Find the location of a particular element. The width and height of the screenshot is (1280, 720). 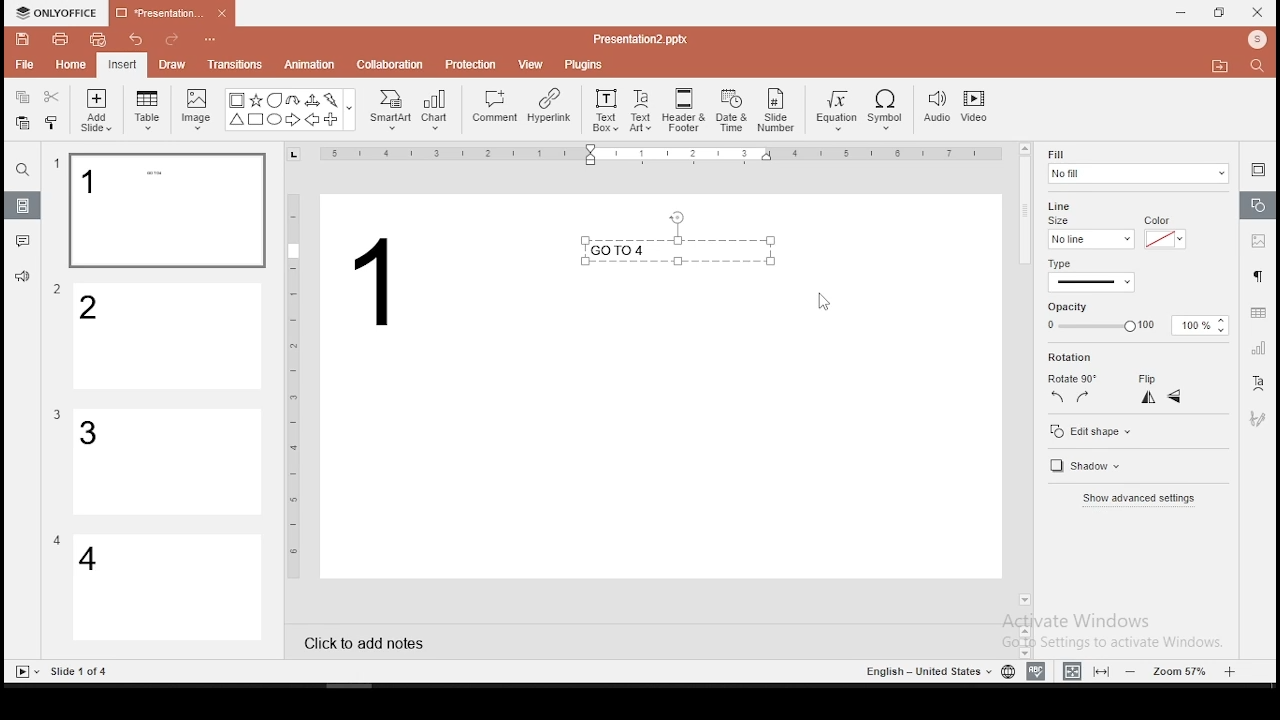

slide 4 is located at coordinates (168, 589).